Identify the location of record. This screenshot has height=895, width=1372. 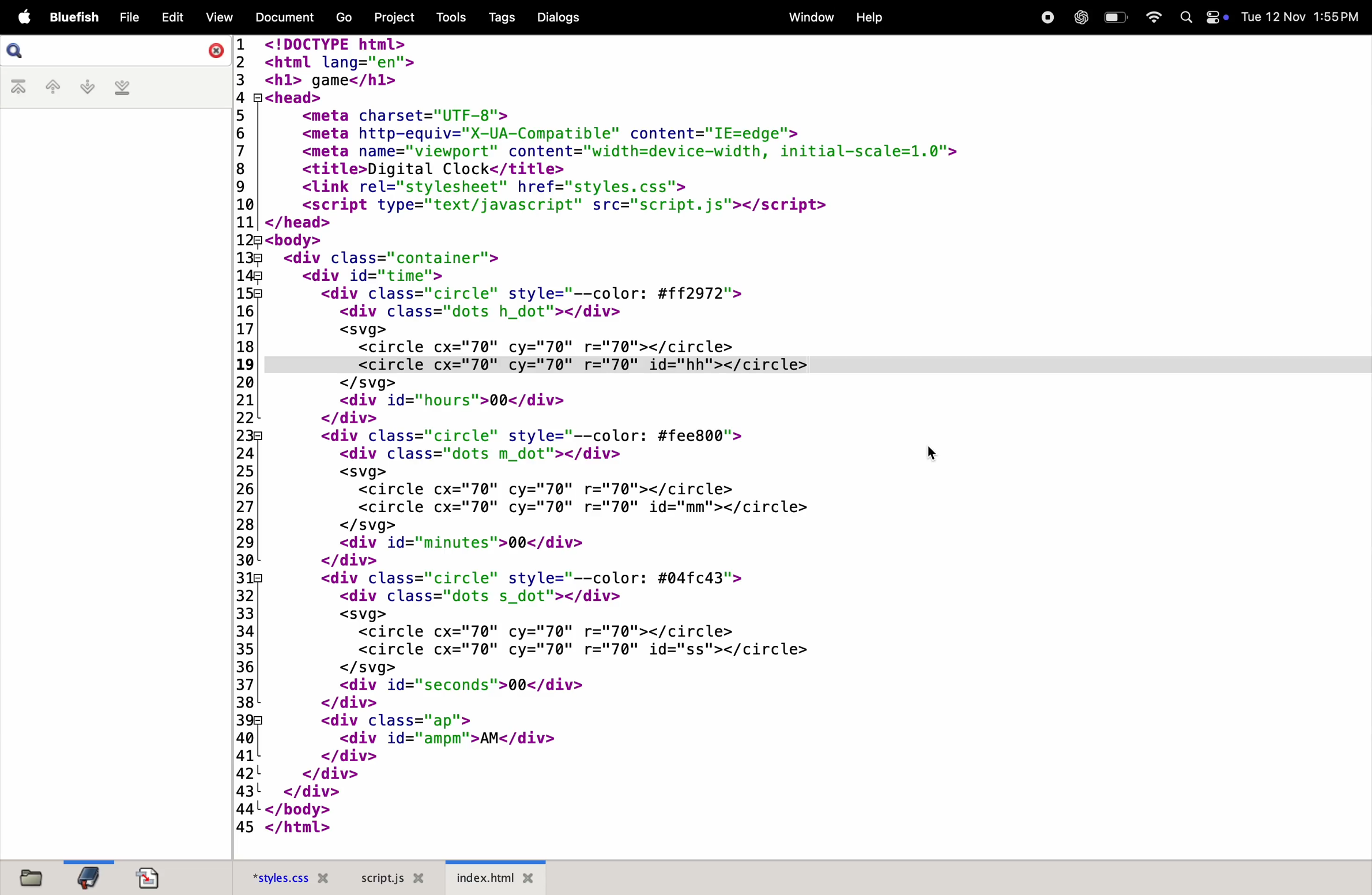
(1046, 18).